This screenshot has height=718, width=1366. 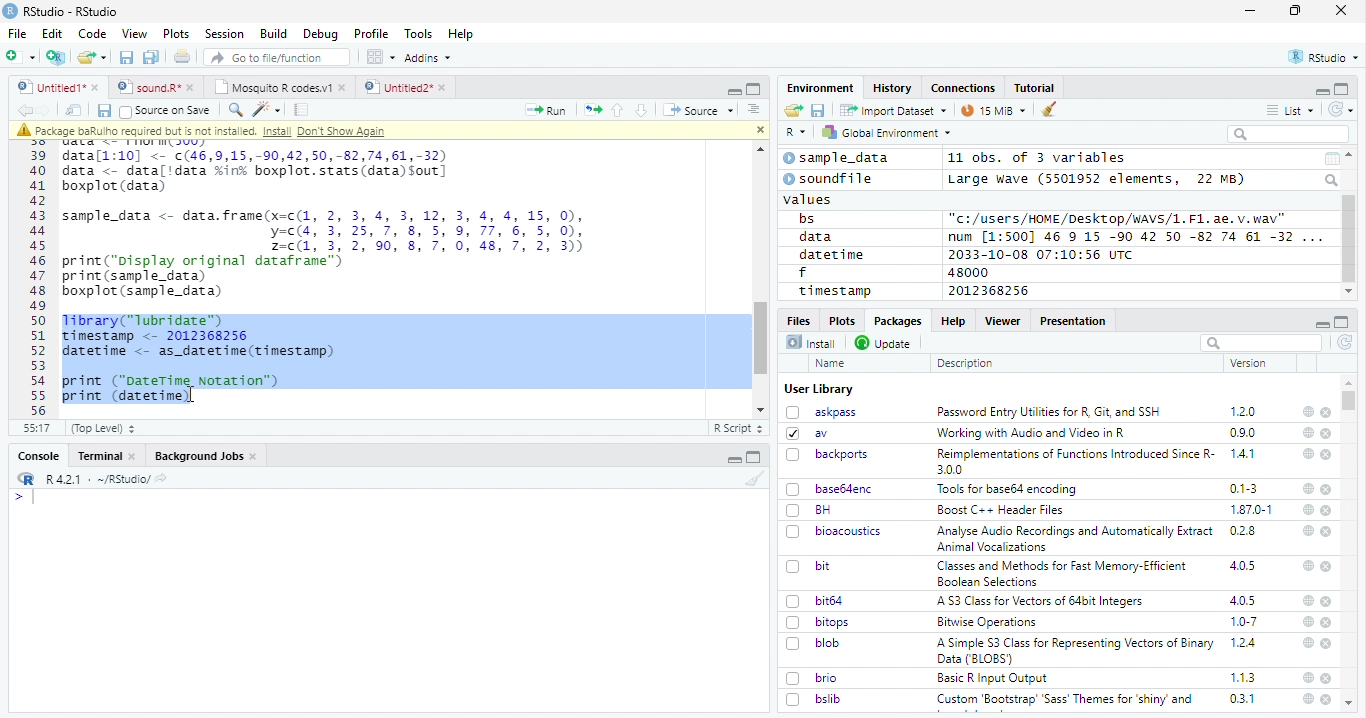 I want to click on Save the current document, so click(x=127, y=58).